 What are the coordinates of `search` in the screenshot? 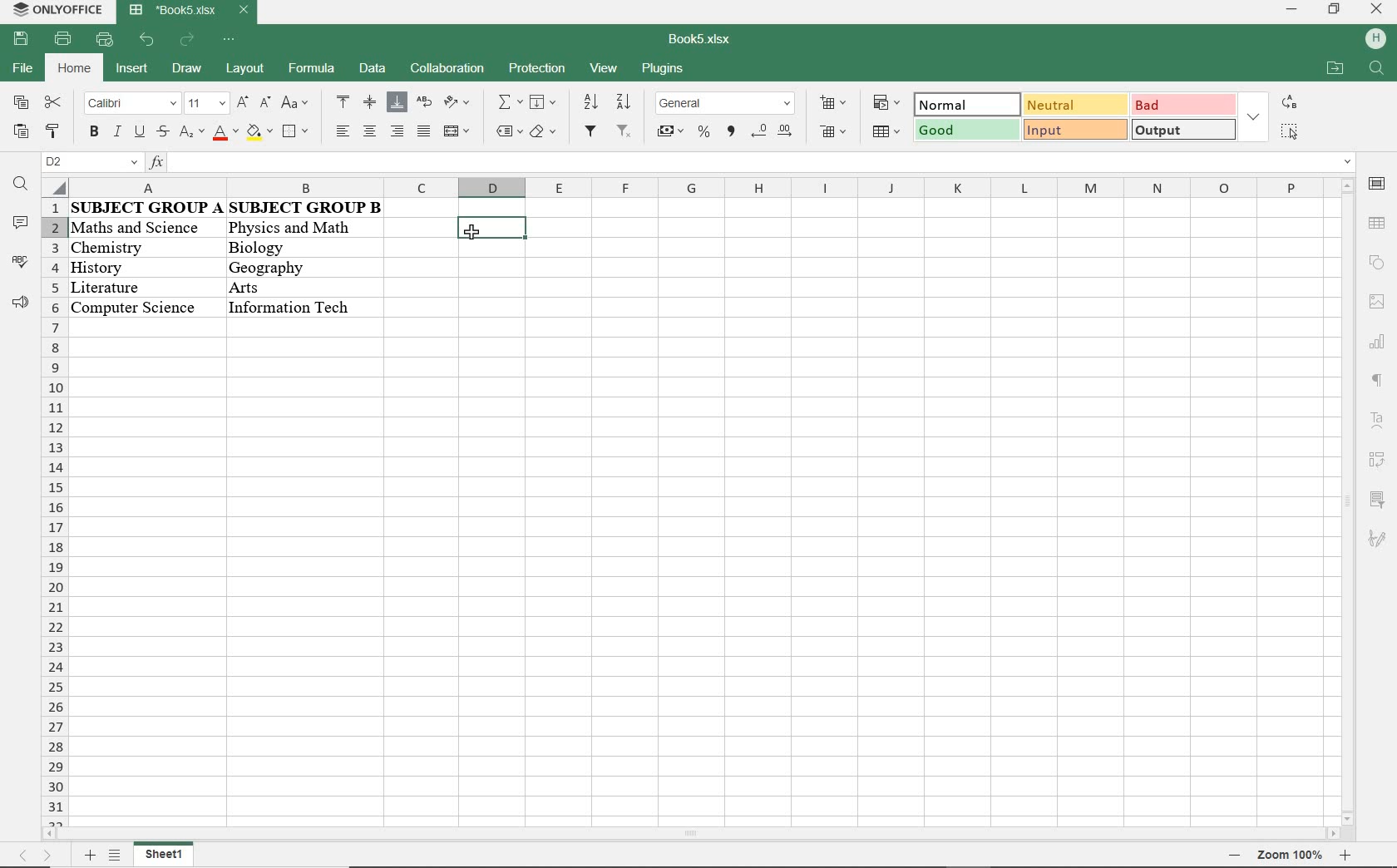 It's located at (1376, 72).